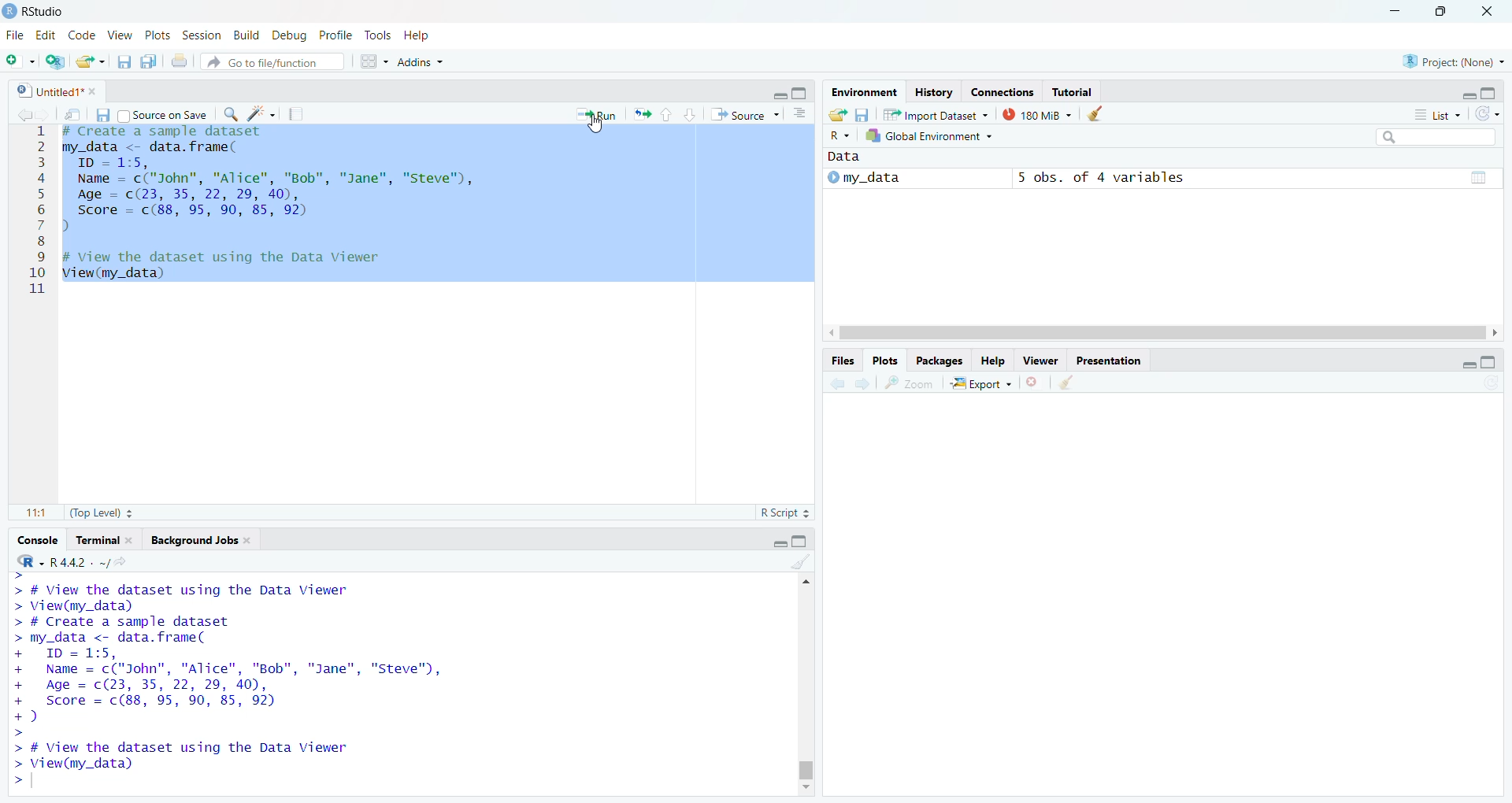 The image size is (1512, 803). Describe the element at coordinates (863, 179) in the screenshot. I see `My_data` at that location.